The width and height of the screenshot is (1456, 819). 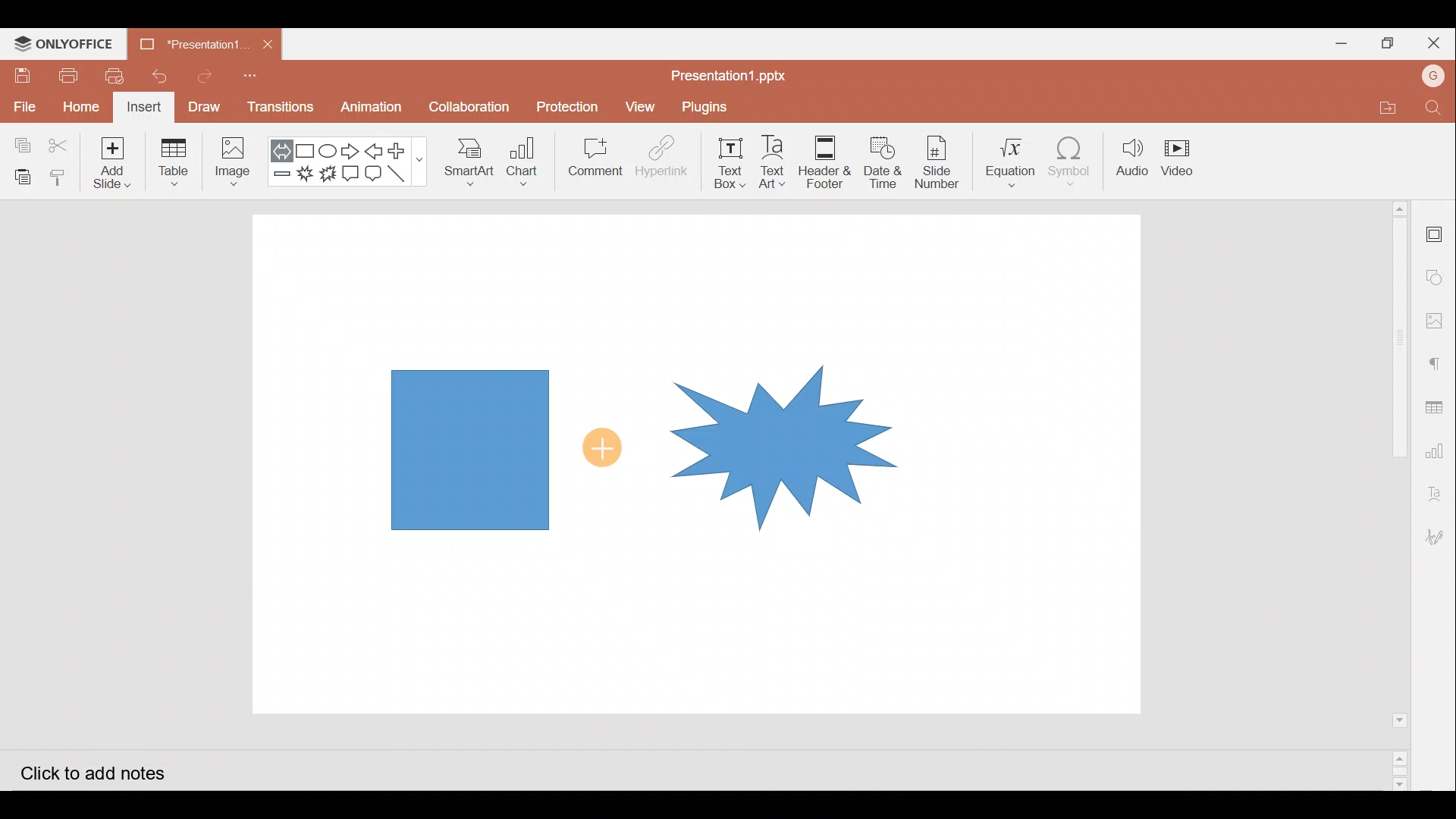 What do you see at coordinates (265, 44) in the screenshot?
I see `Close document` at bounding box center [265, 44].